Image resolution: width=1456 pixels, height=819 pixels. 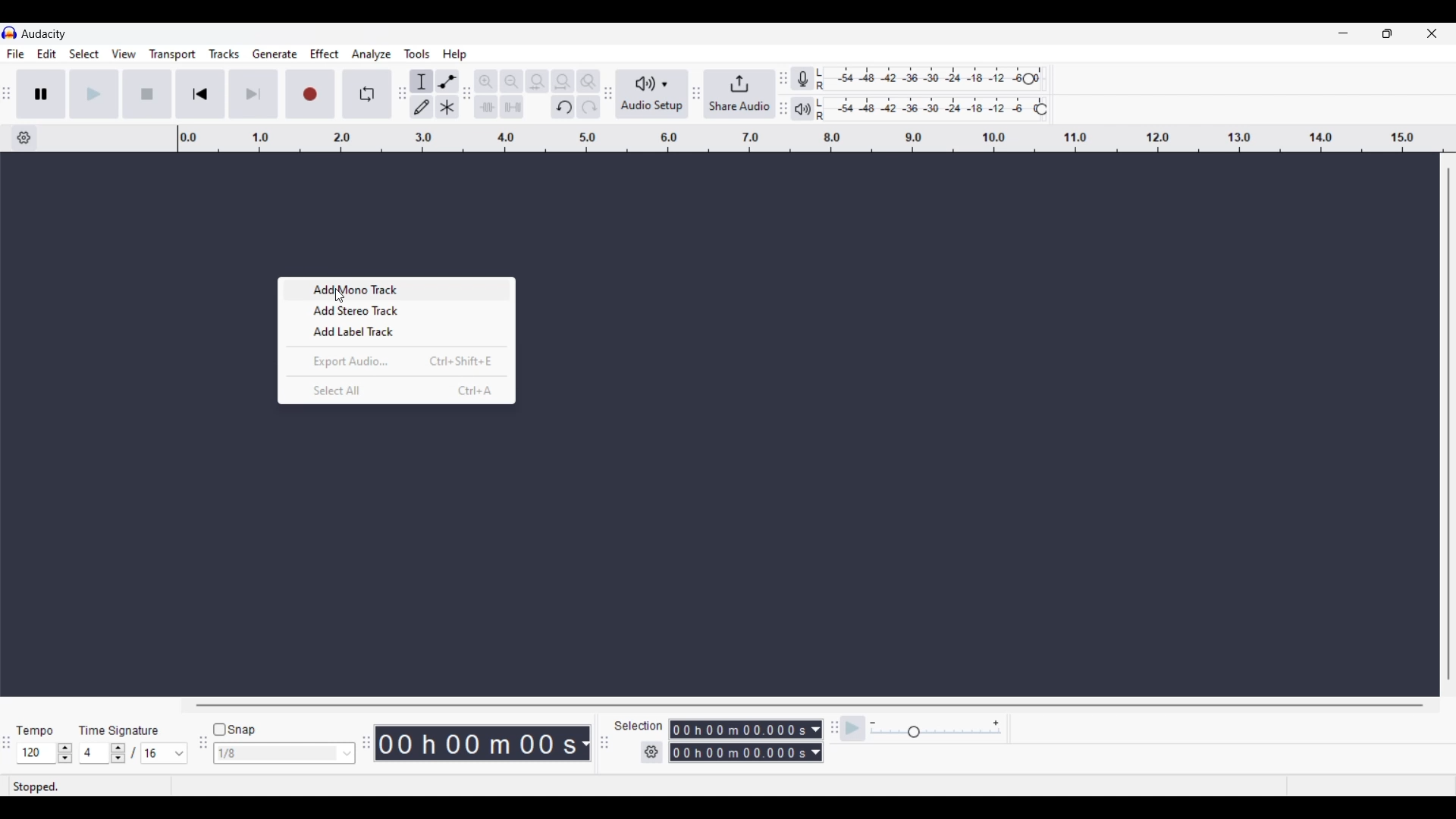 I want to click on Time signature options, so click(x=180, y=754).